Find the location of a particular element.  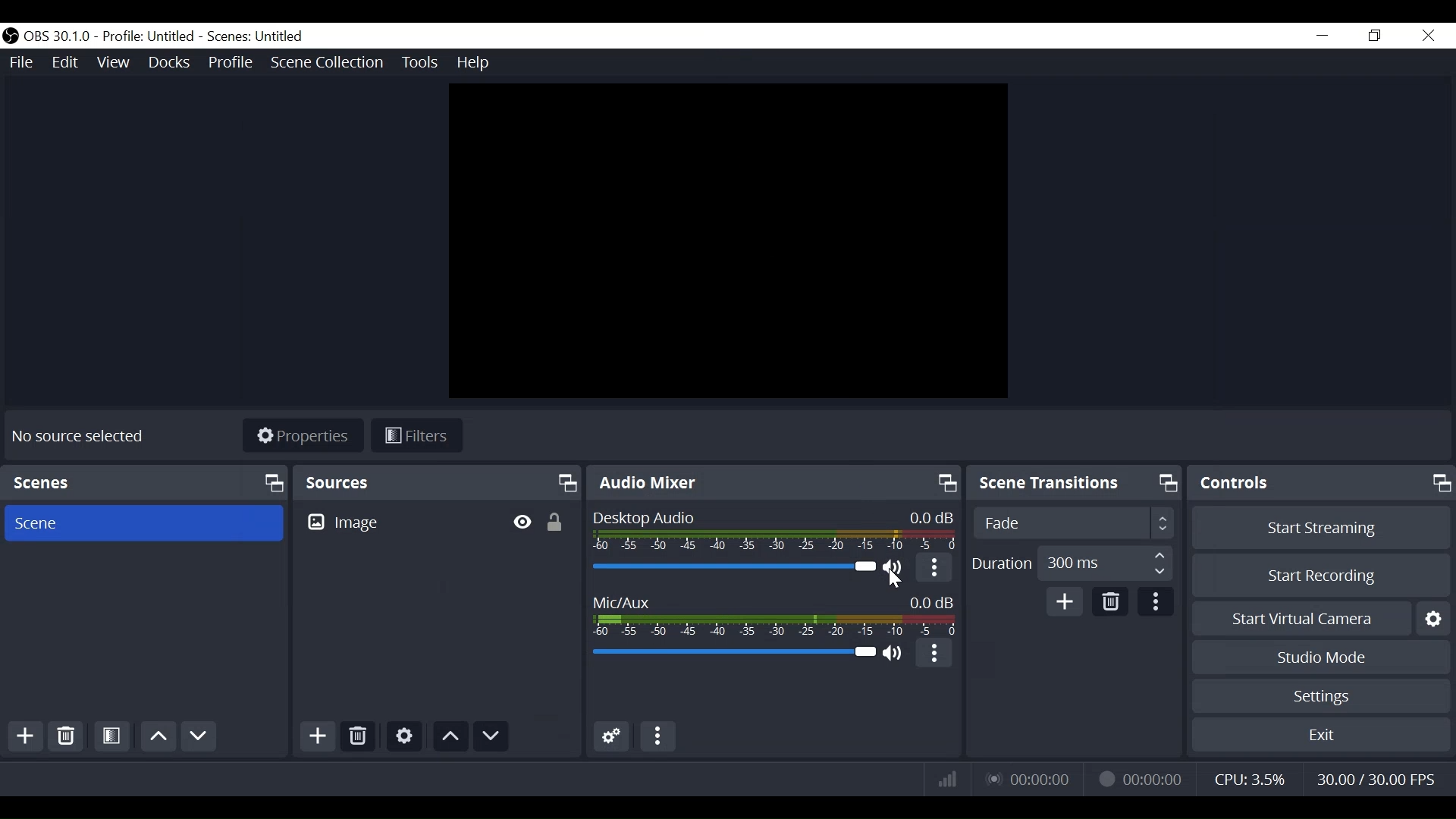

Start Virtual Camera is located at coordinates (1298, 618).